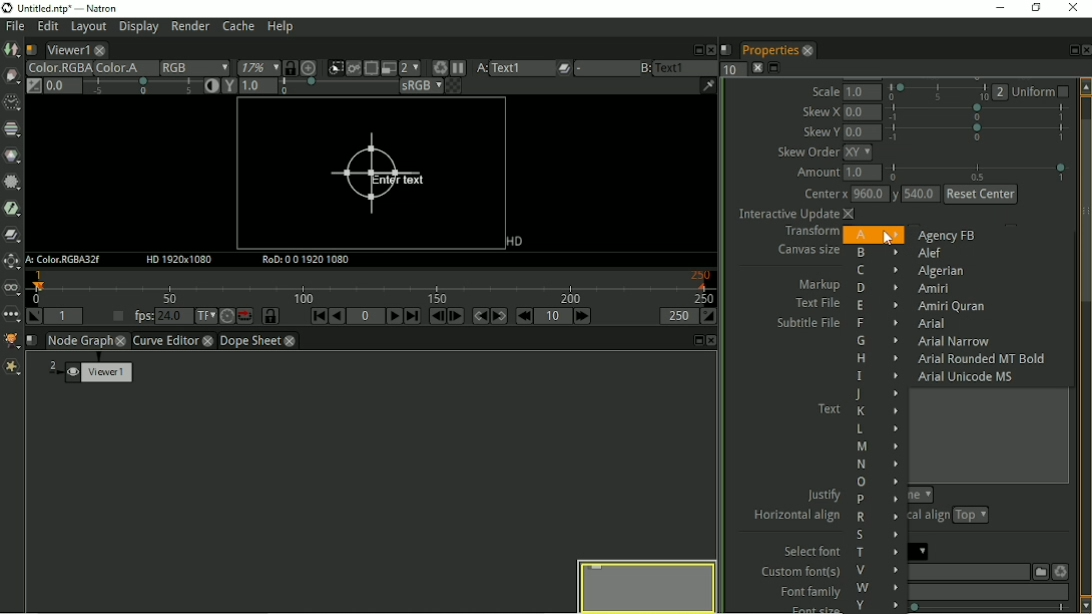 The width and height of the screenshot is (1092, 614). What do you see at coordinates (410, 68) in the screenshot?
I see `Proxy mode` at bounding box center [410, 68].